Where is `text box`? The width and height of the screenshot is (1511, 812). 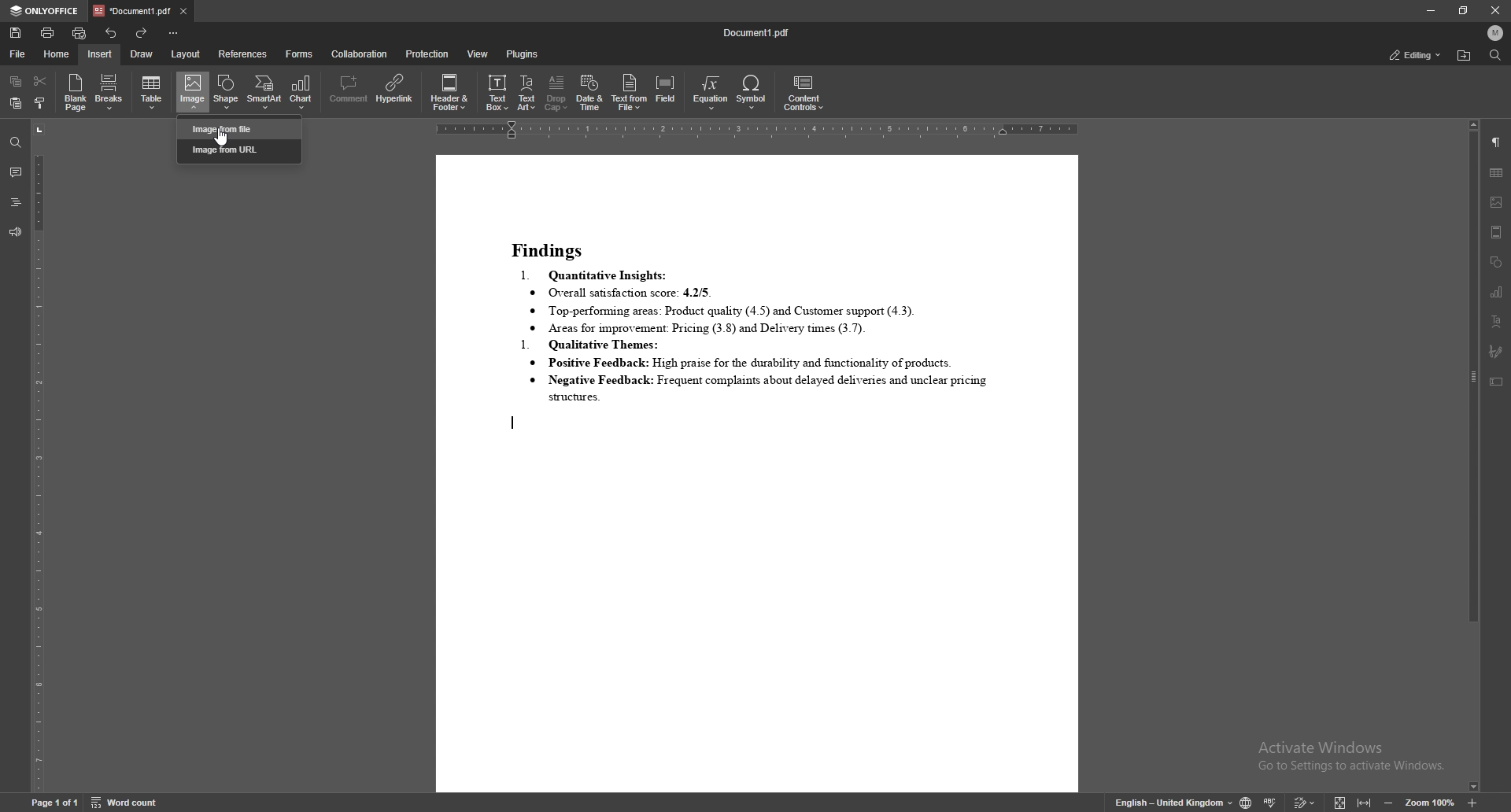
text box is located at coordinates (1496, 382).